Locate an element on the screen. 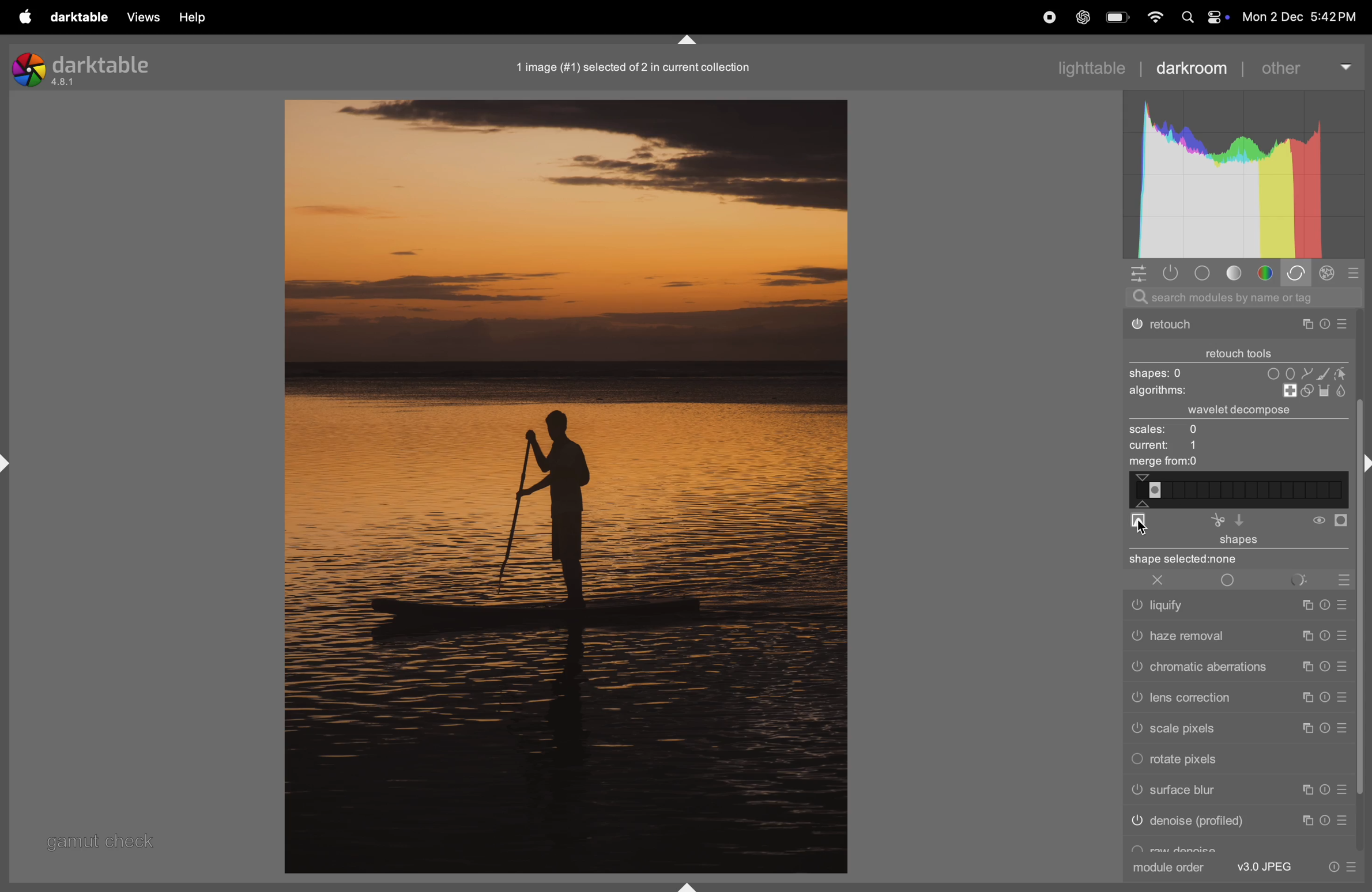 This screenshot has width=1372, height=892. presets is located at coordinates (1352, 273).